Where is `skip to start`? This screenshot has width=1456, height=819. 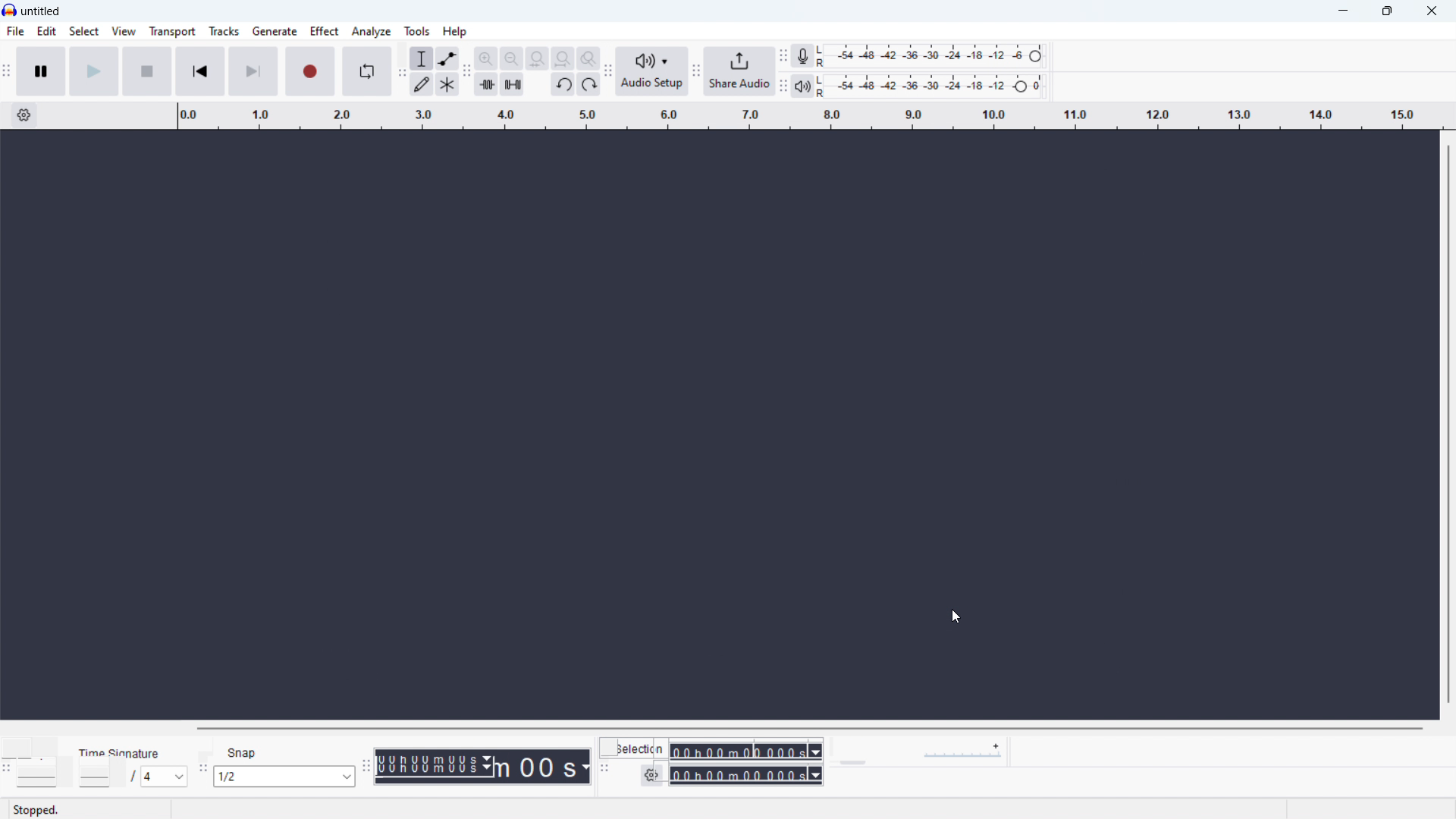 skip to start is located at coordinates (200, 71).